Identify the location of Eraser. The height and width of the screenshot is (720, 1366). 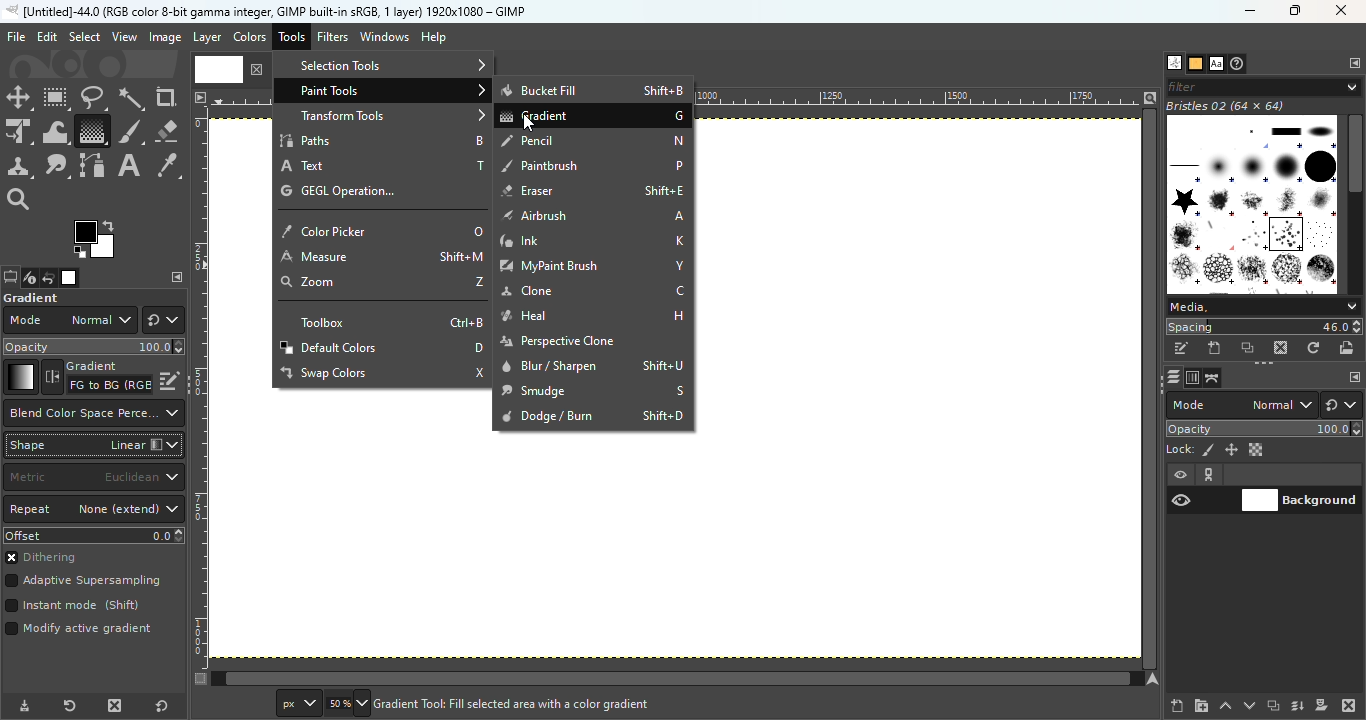
(590, 190).